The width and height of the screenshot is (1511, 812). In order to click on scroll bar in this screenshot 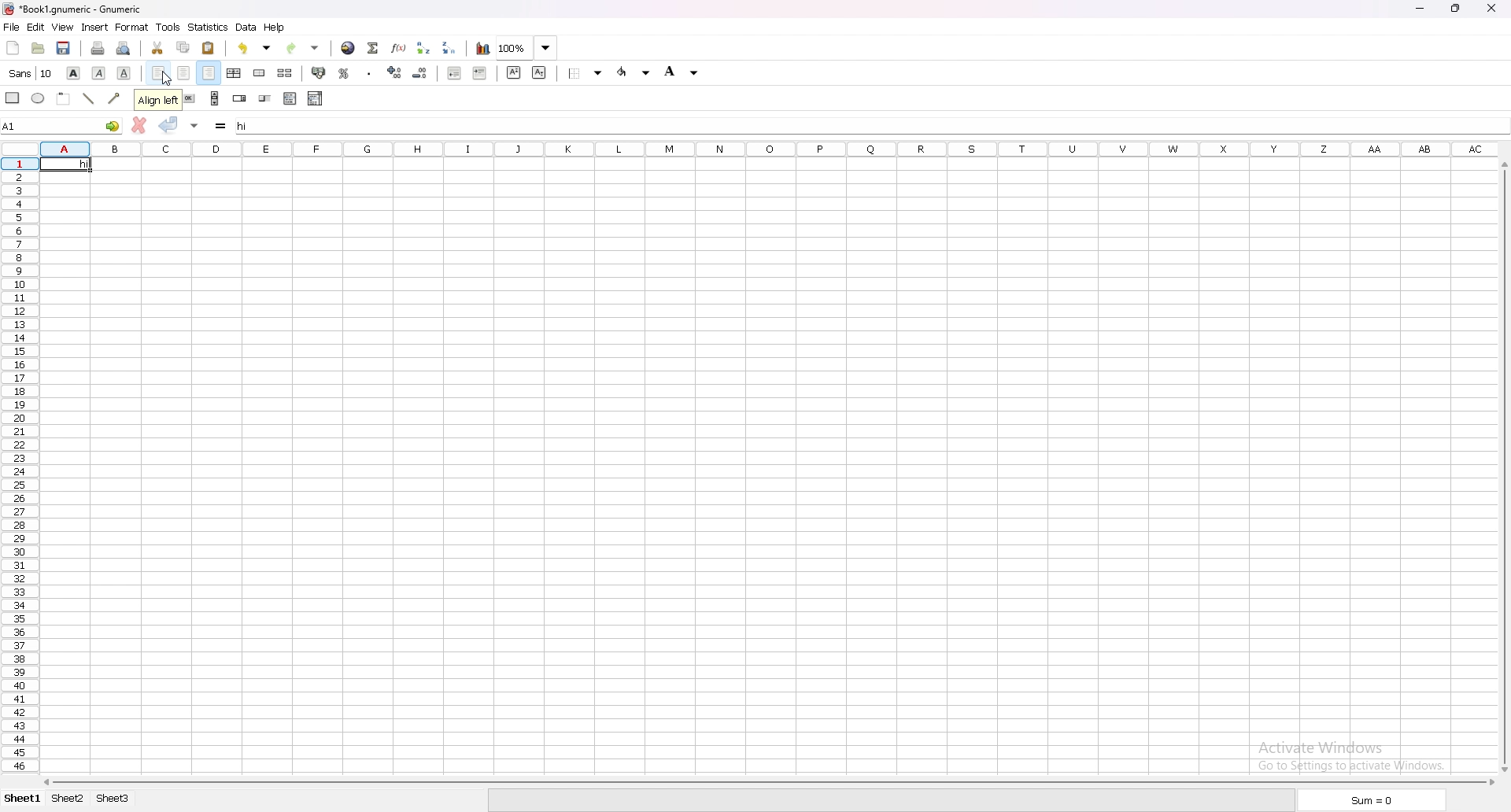, I will do `click(768, 780)`.